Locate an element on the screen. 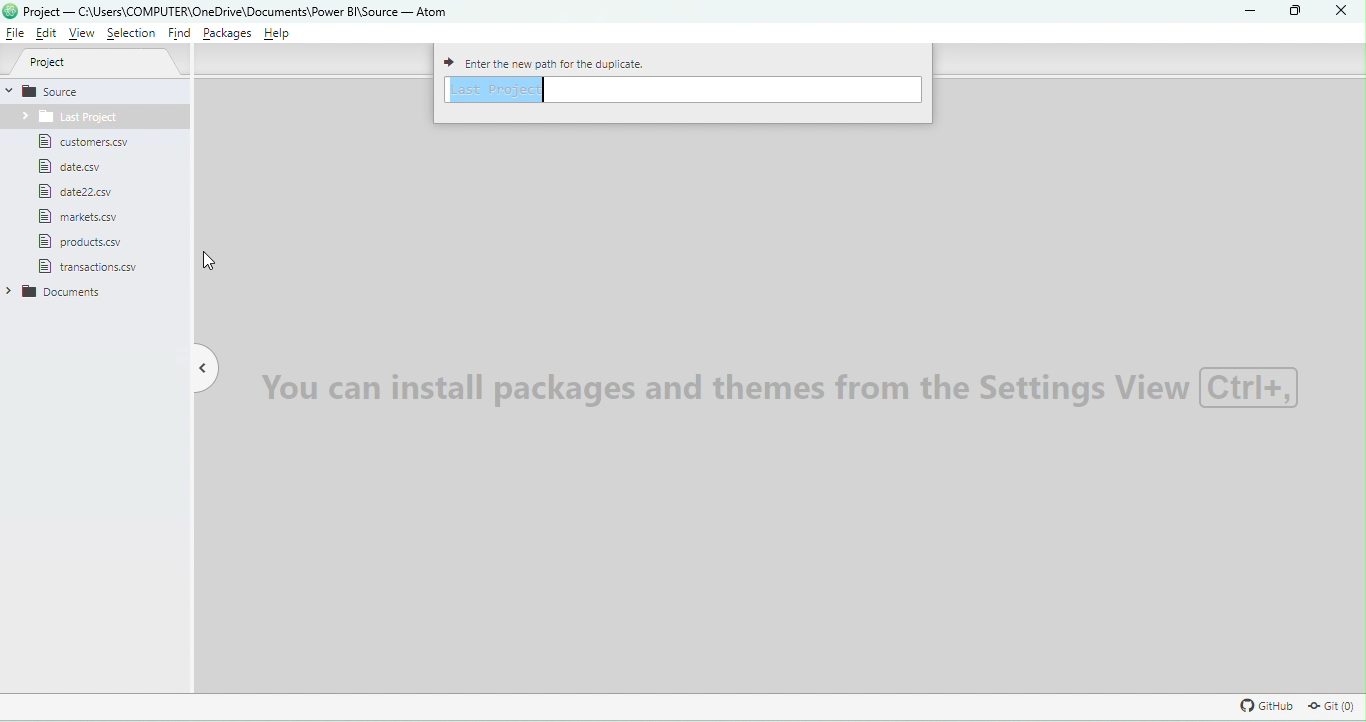  Close is located at coordinates (1343, 15).